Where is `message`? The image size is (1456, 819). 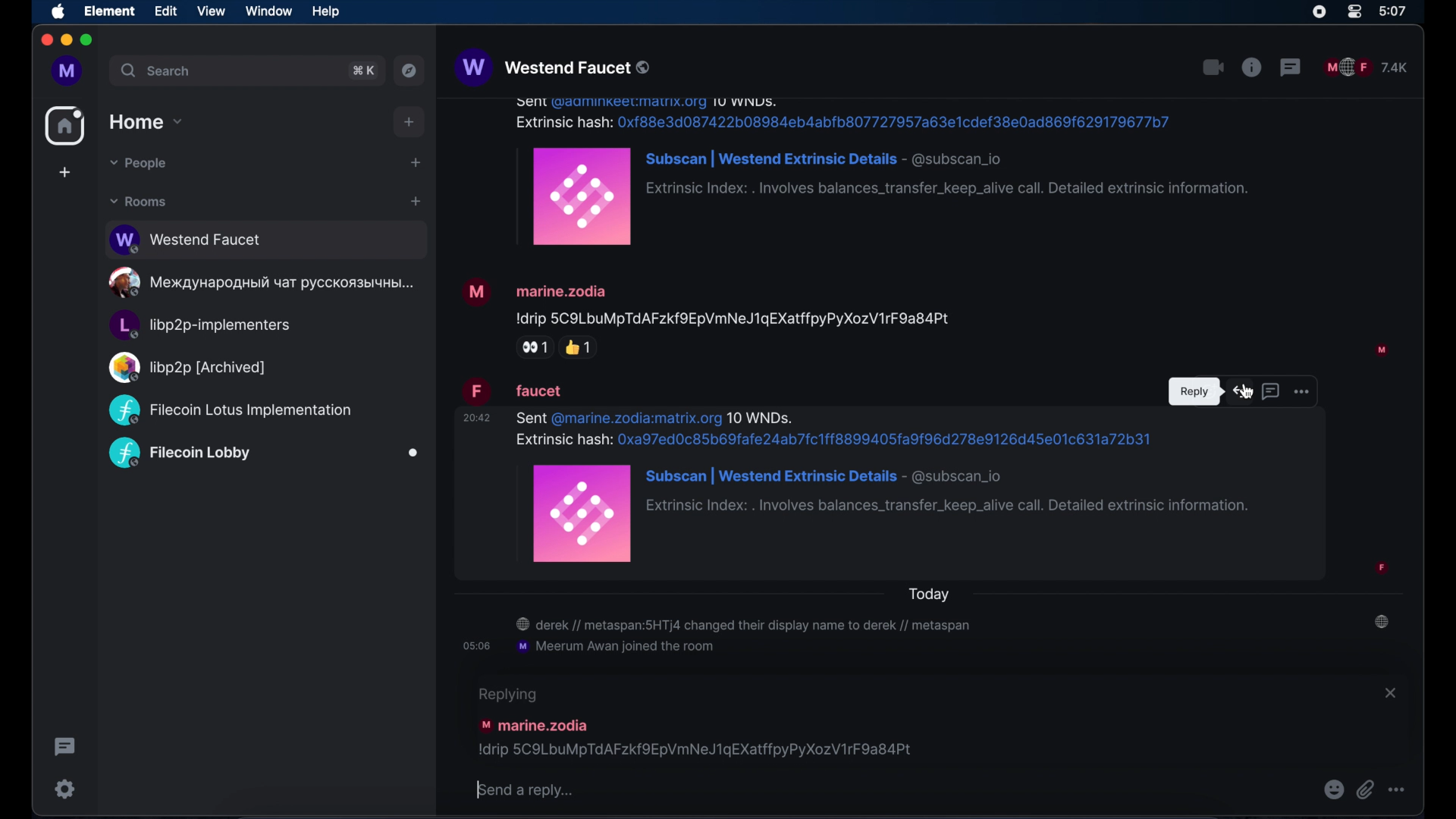 message is located at coordinates (629, 401).